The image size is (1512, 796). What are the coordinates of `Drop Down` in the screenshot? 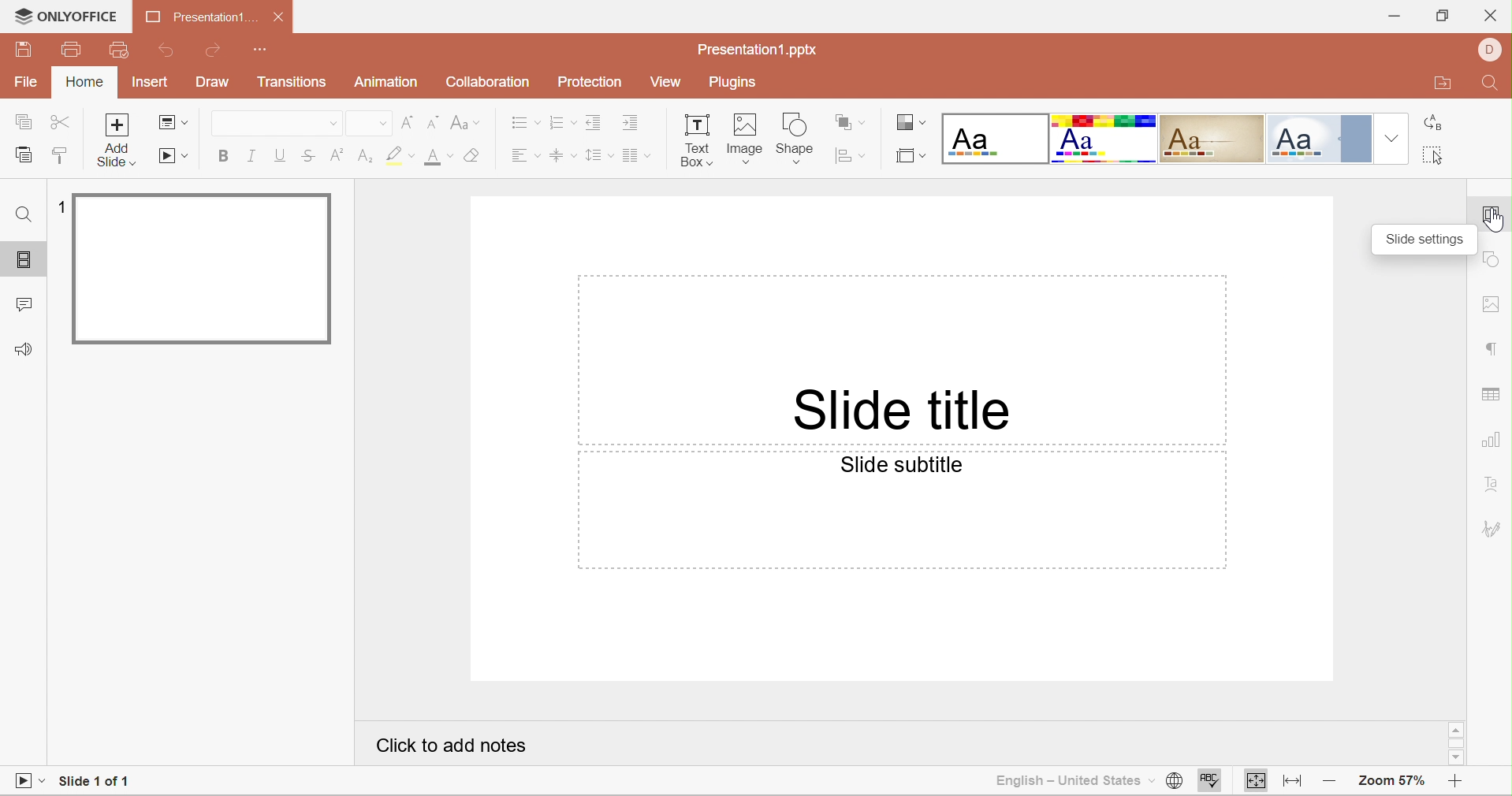 It's located at (330, 125).